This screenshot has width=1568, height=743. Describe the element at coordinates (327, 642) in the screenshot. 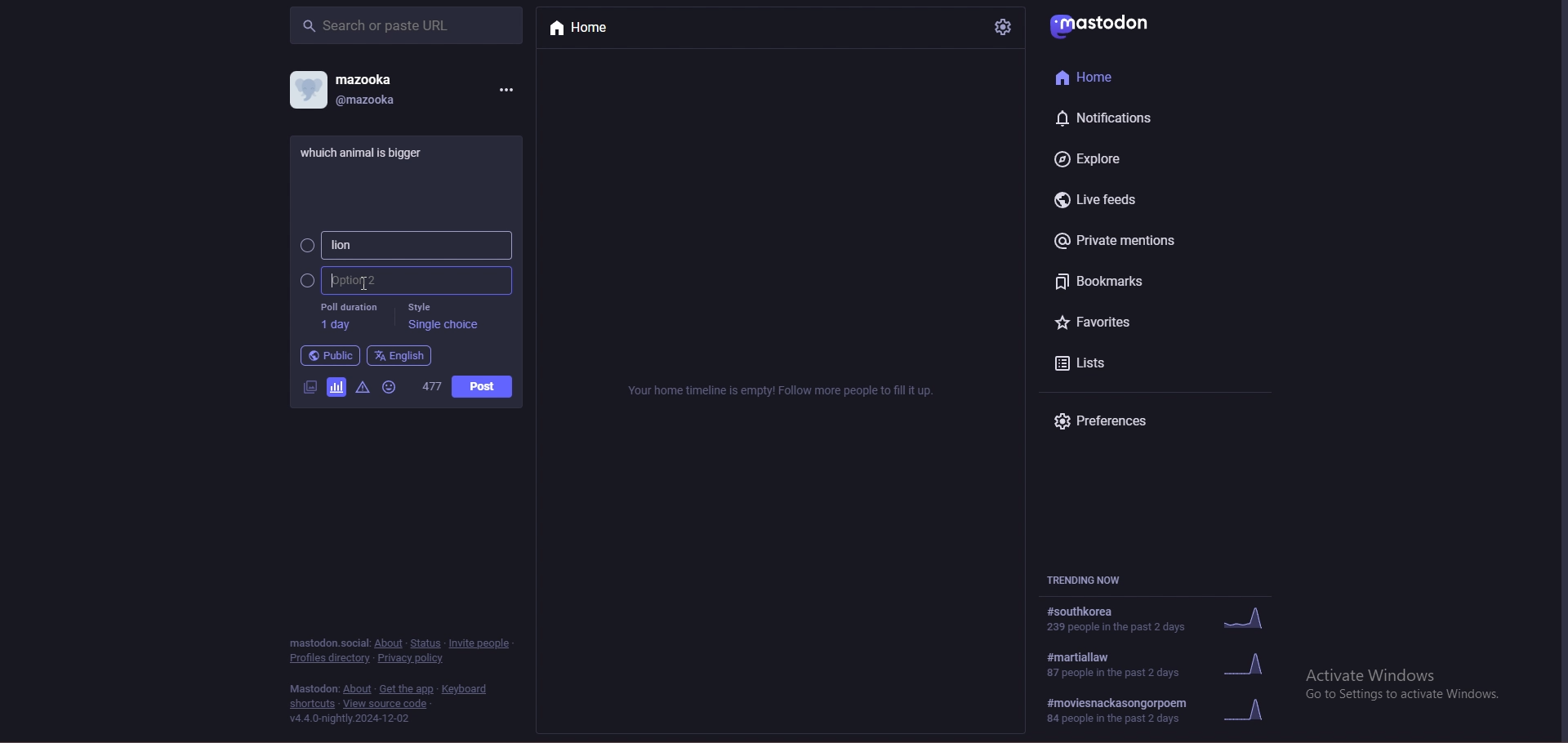

I see `mastodon` at that location.